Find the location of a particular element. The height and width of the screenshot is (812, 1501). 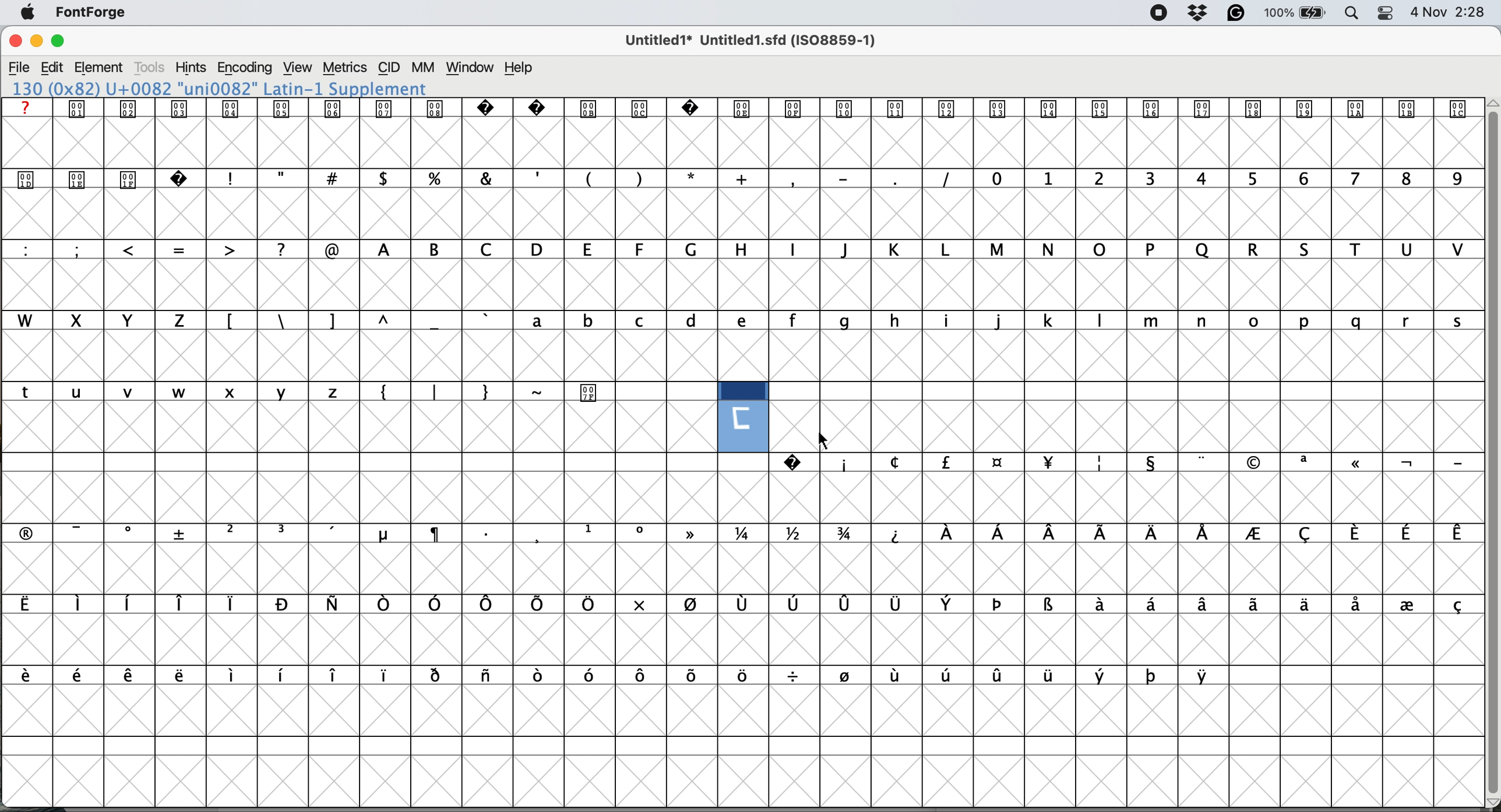

glyph added is located at coordinates (744, 416).